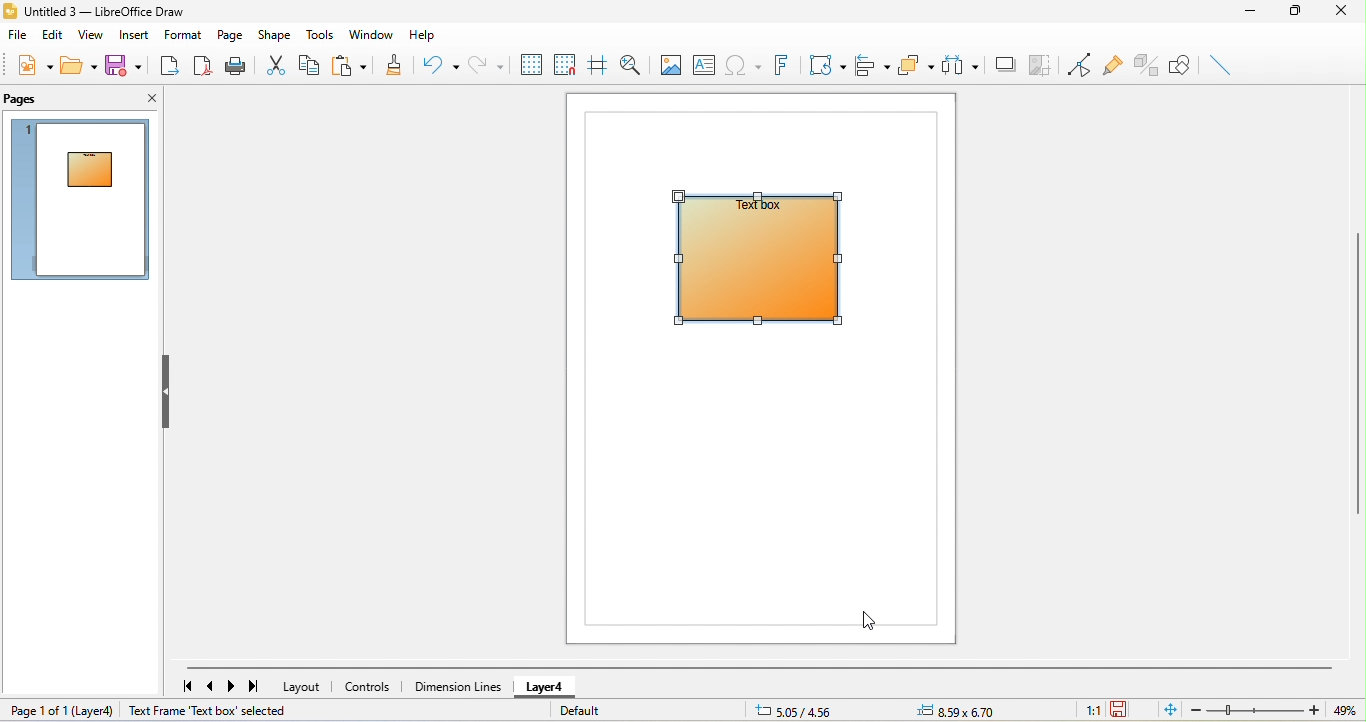 The image size is (1366, 722). What do you see at coordinates (631, 64) in the screenshot?
I see `zoom and pan` at bounding box center [631, 64].